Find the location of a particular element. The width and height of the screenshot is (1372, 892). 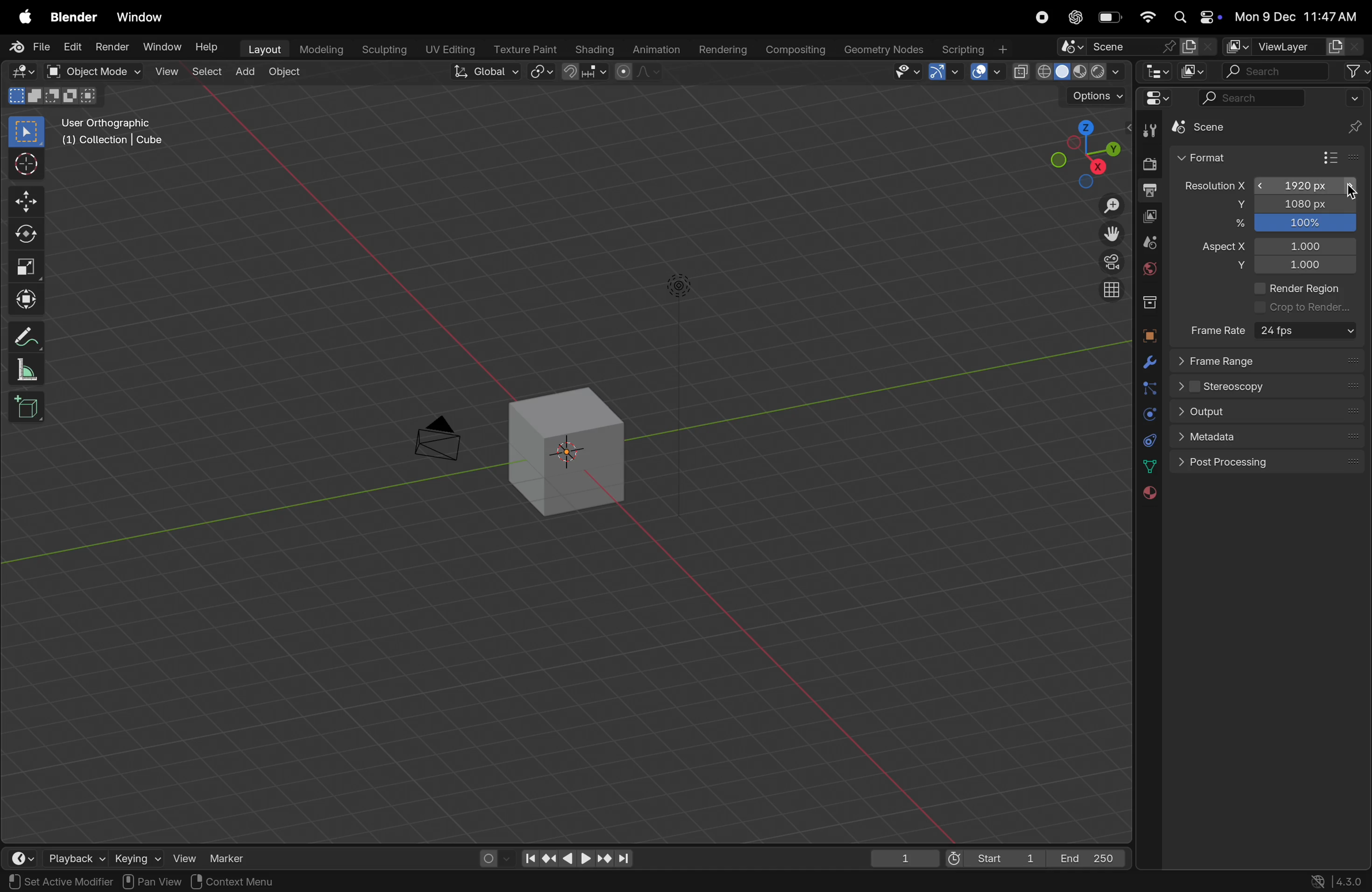

Geometry nodes is located at coordinates (885, 50).